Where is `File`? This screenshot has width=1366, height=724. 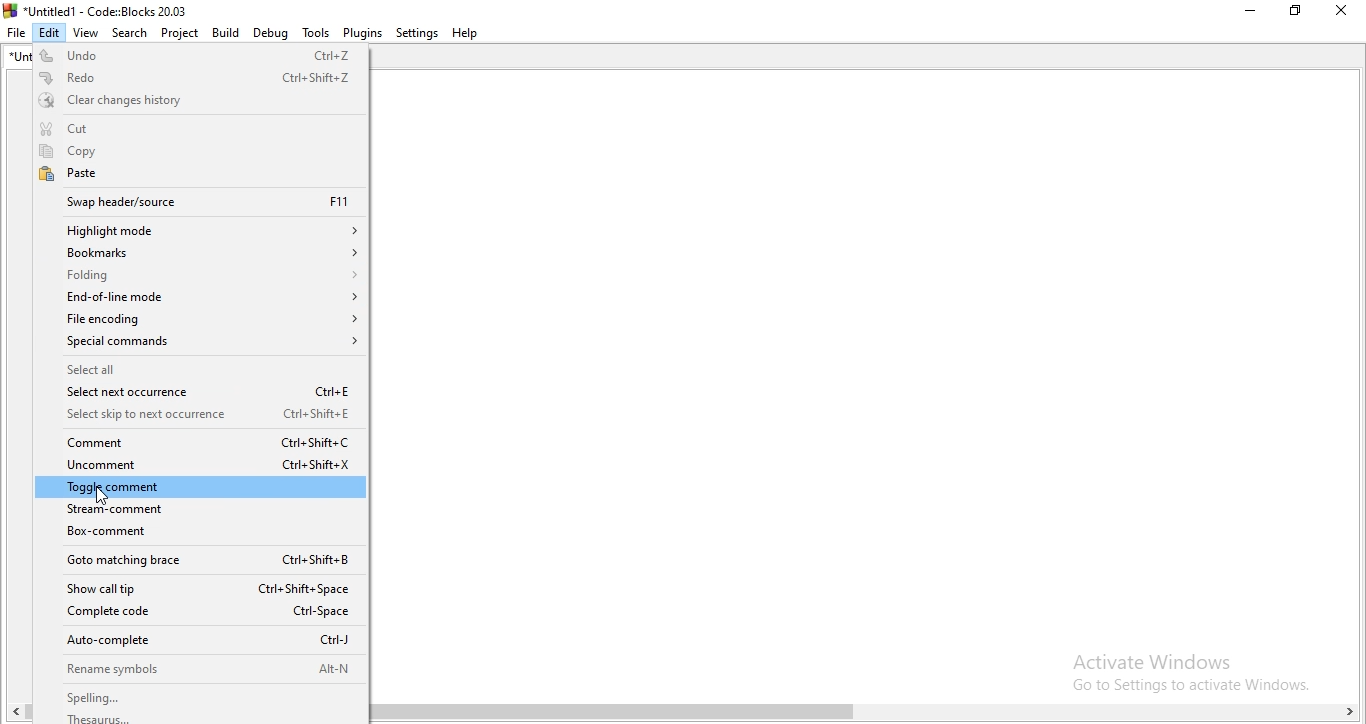 File is located at coordinates (17, 31).